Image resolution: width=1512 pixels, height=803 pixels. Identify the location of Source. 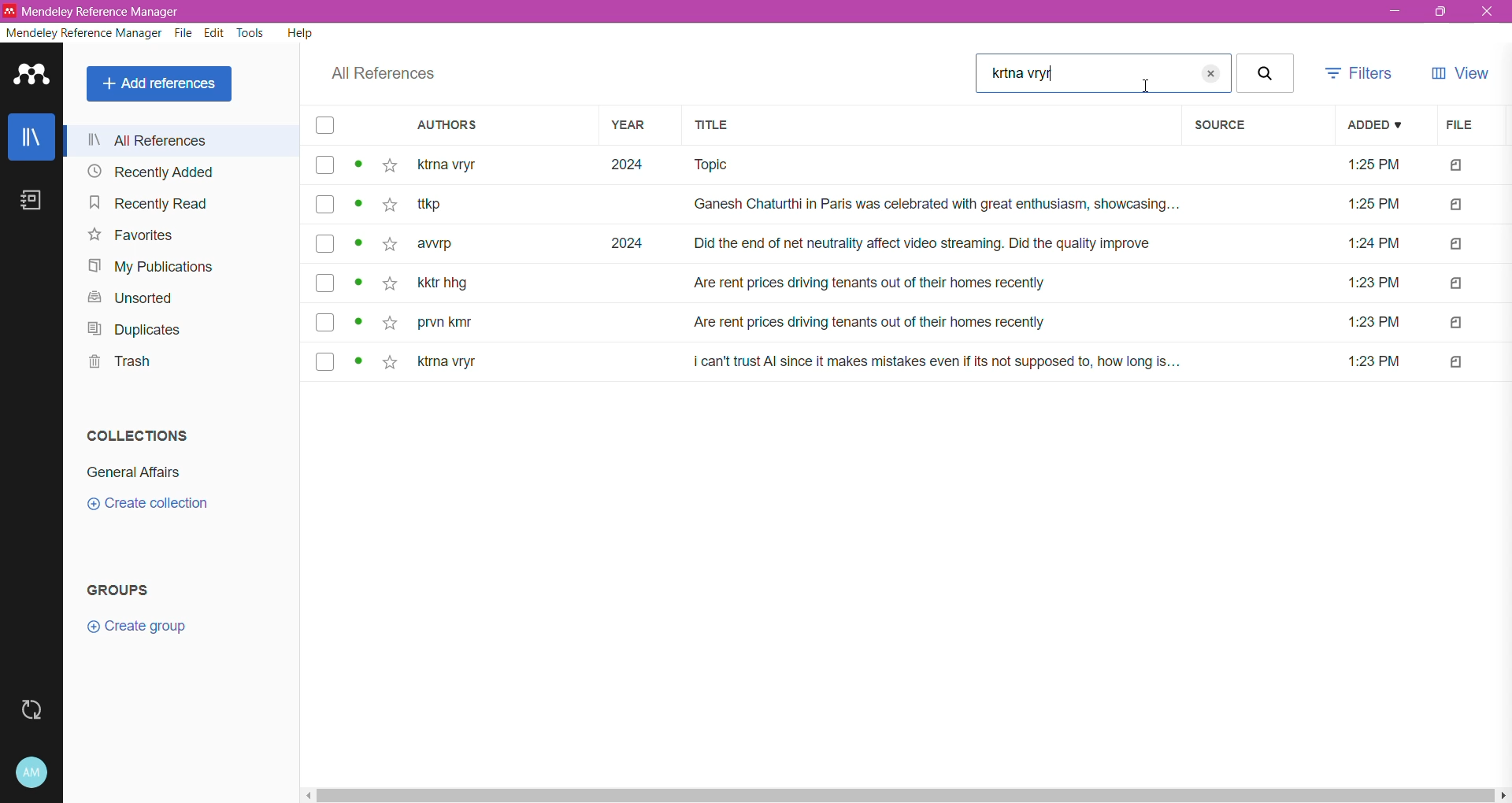
(1254, 126).